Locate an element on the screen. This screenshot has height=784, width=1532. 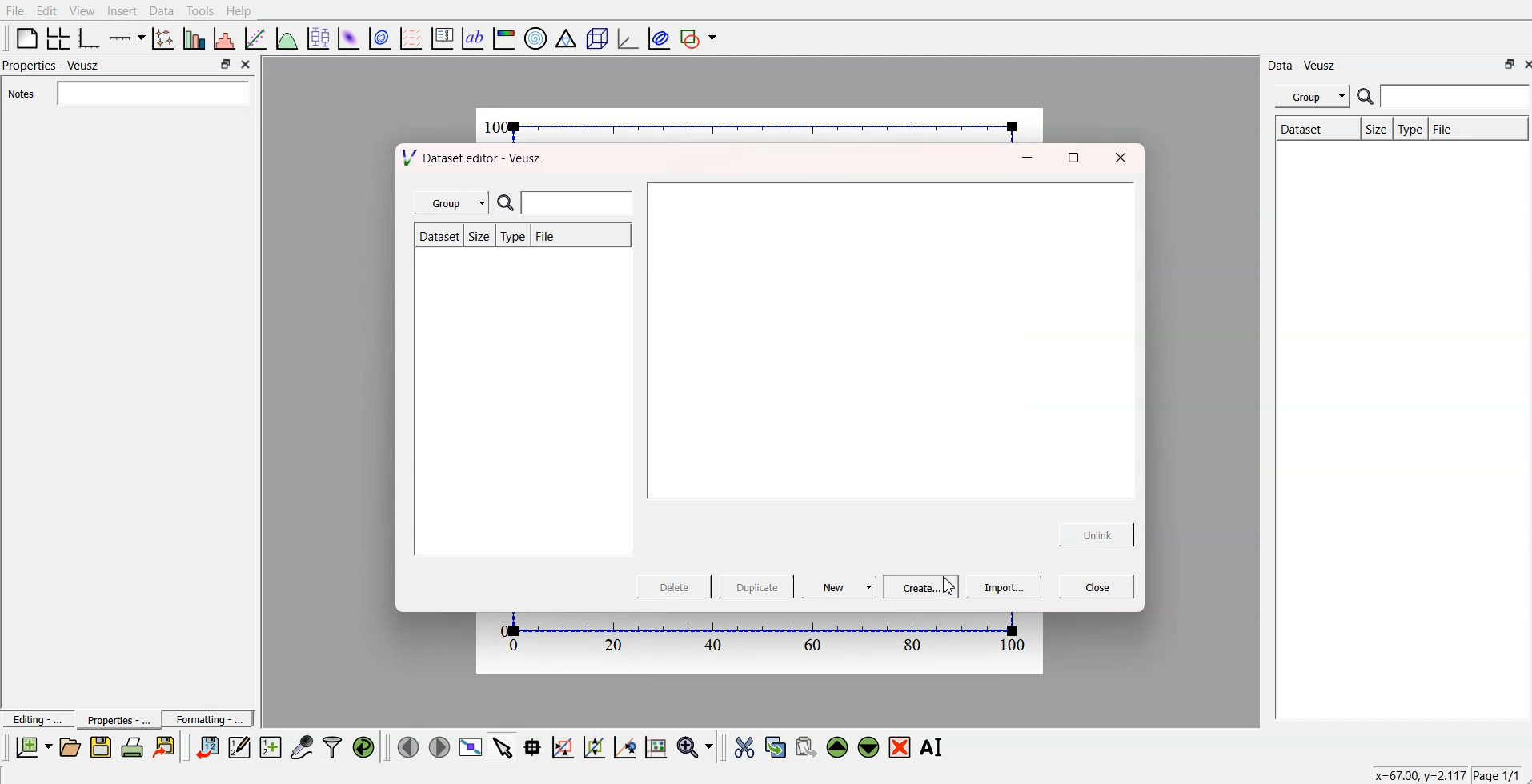
plot a vector field is located at coordinates (413, 38).